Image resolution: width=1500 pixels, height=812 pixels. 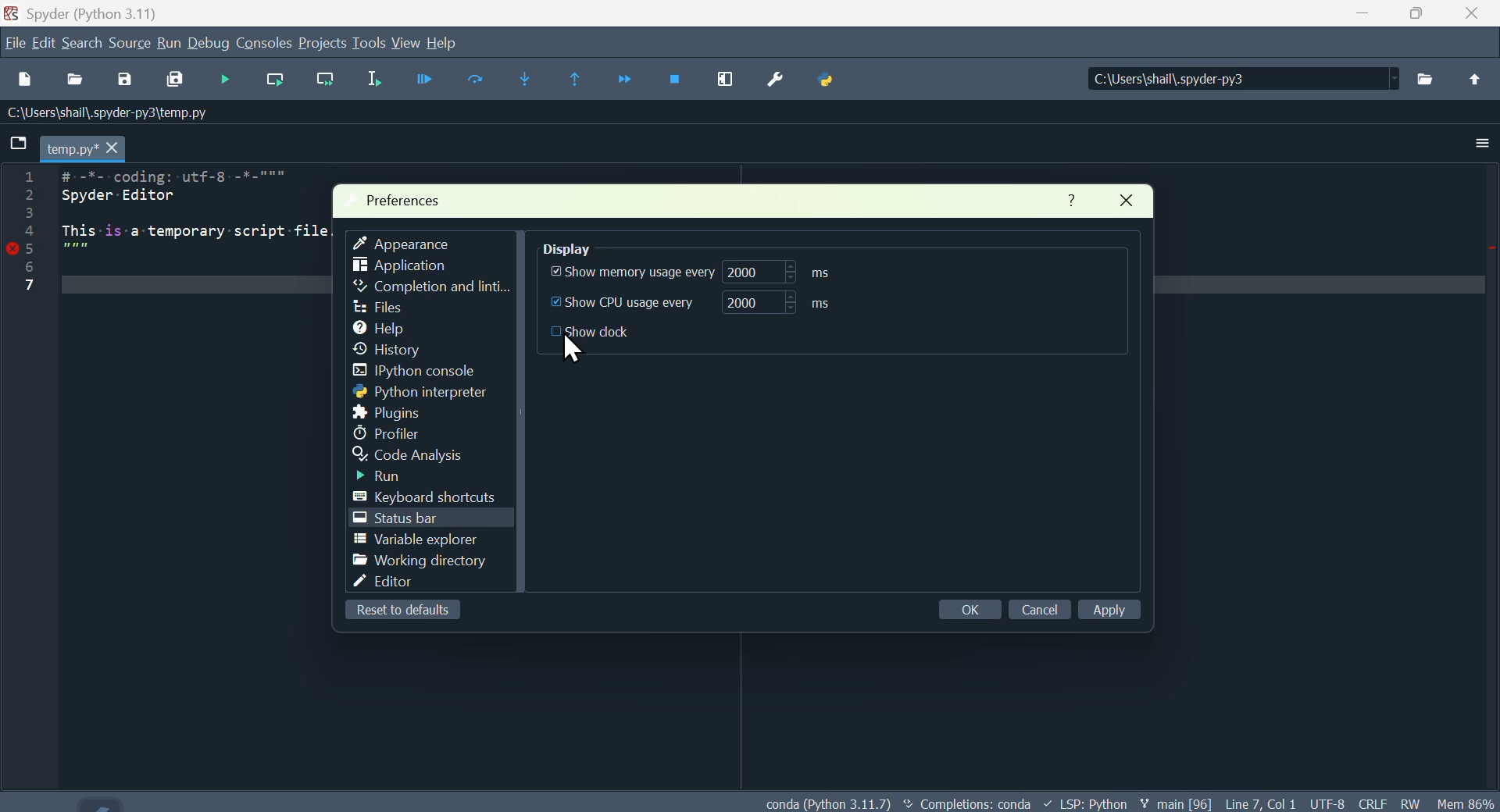 I want to click on Help, so click(x=454, y=41).